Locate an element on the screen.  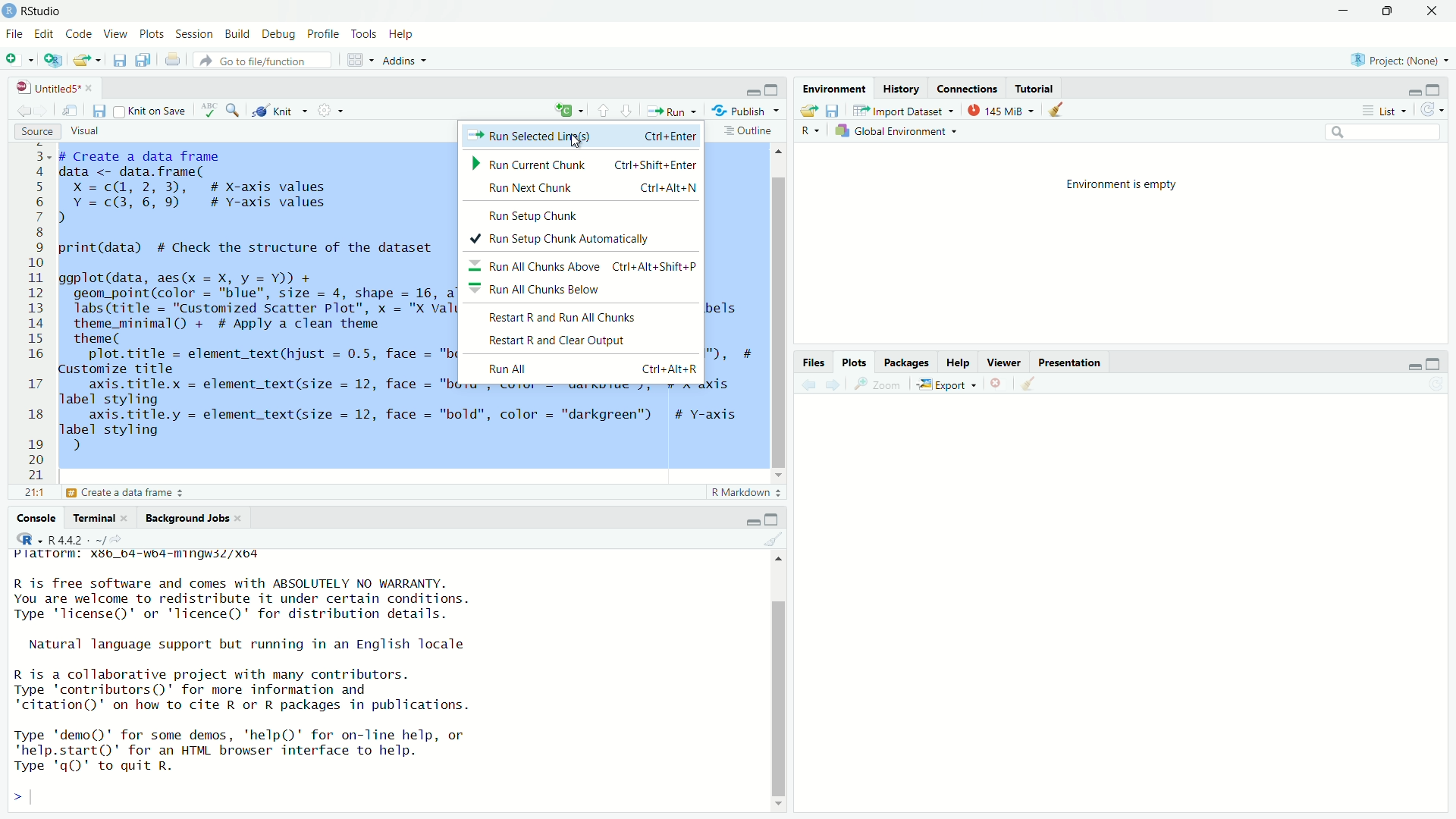
Minimize is located at coordinates (1412, 93).